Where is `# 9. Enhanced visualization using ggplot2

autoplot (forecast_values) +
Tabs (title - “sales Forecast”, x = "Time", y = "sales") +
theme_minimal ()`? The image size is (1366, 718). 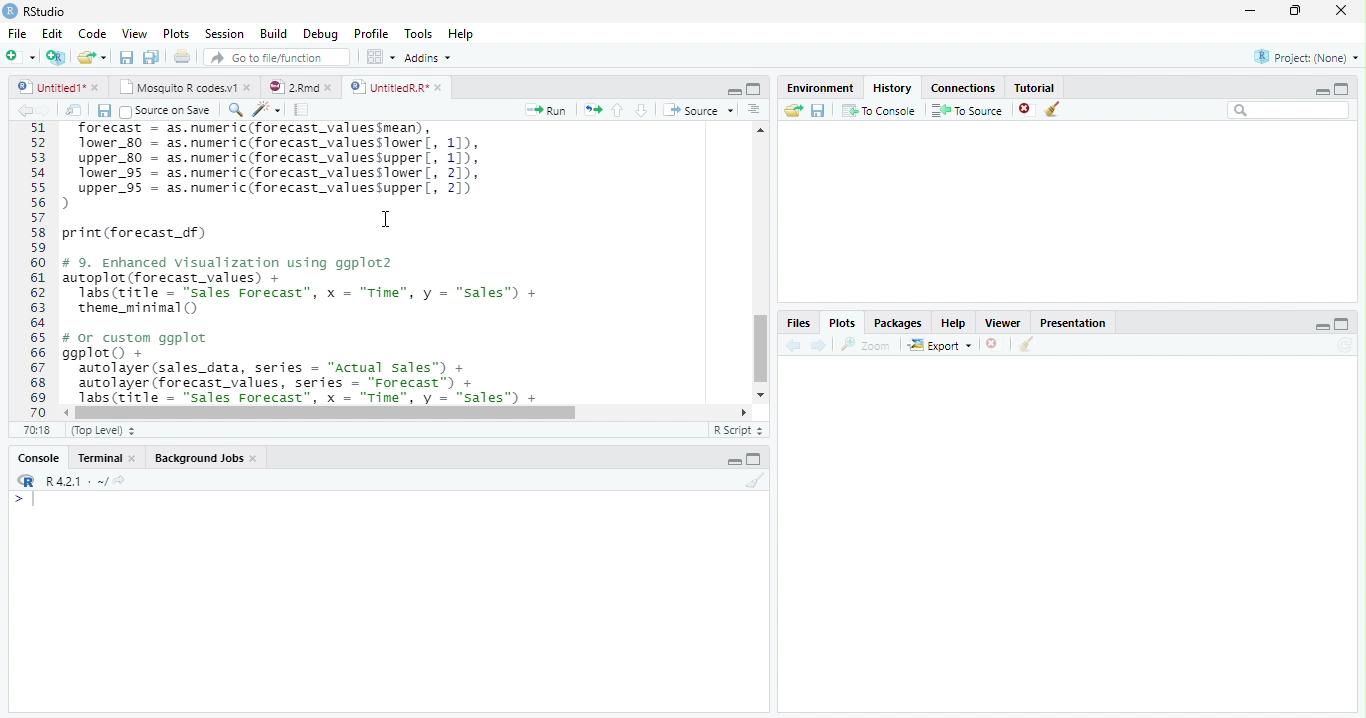
# 9. Enhanced visualization using ggplot2

autoplot (forecast_values) +
Tabs (title - “sales Forecast”, x = "Time", y = "sales") +
theme_minimal () is located at coordinates (308, 287).